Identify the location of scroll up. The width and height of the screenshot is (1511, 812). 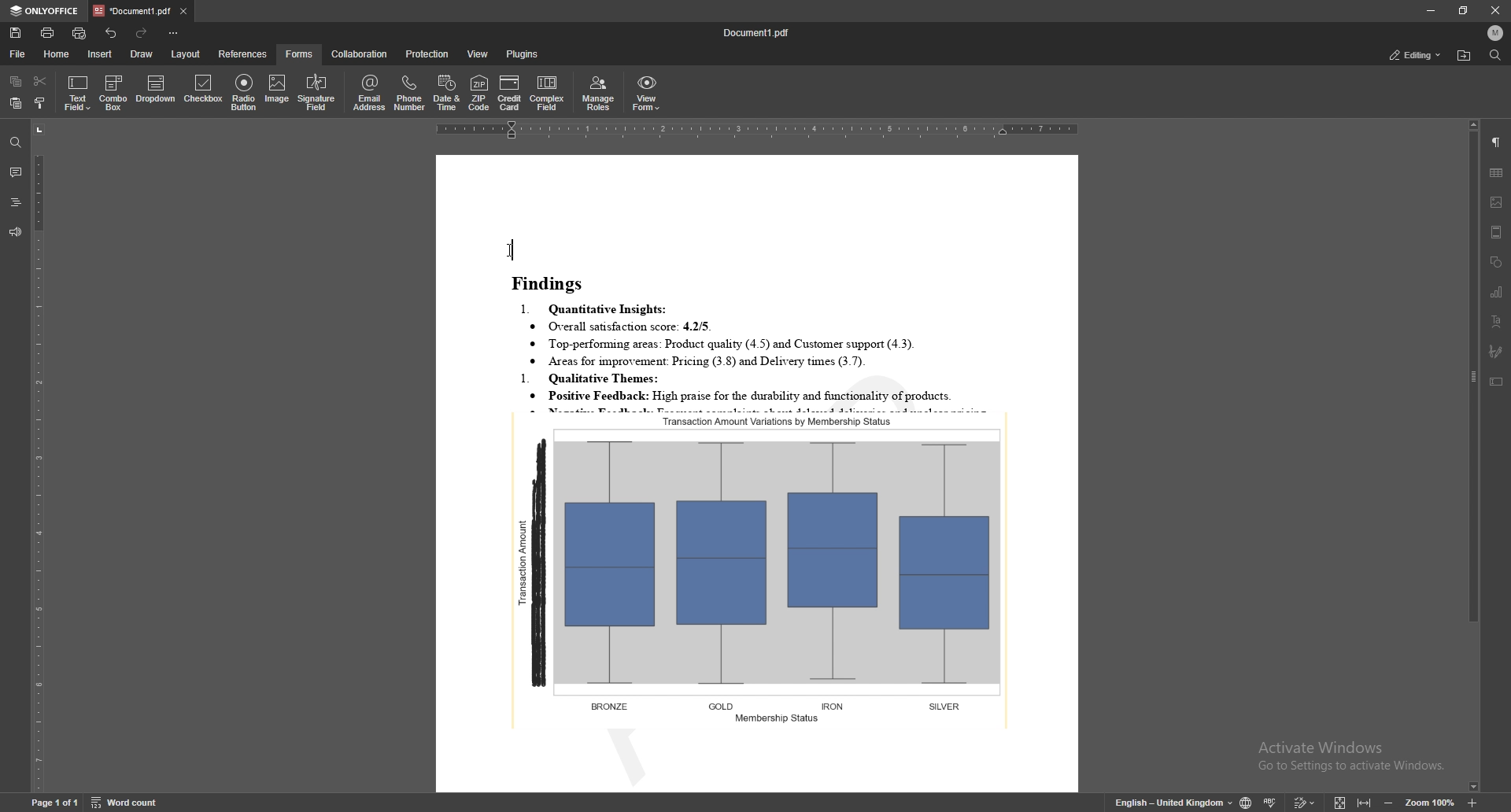
(1472, 125).